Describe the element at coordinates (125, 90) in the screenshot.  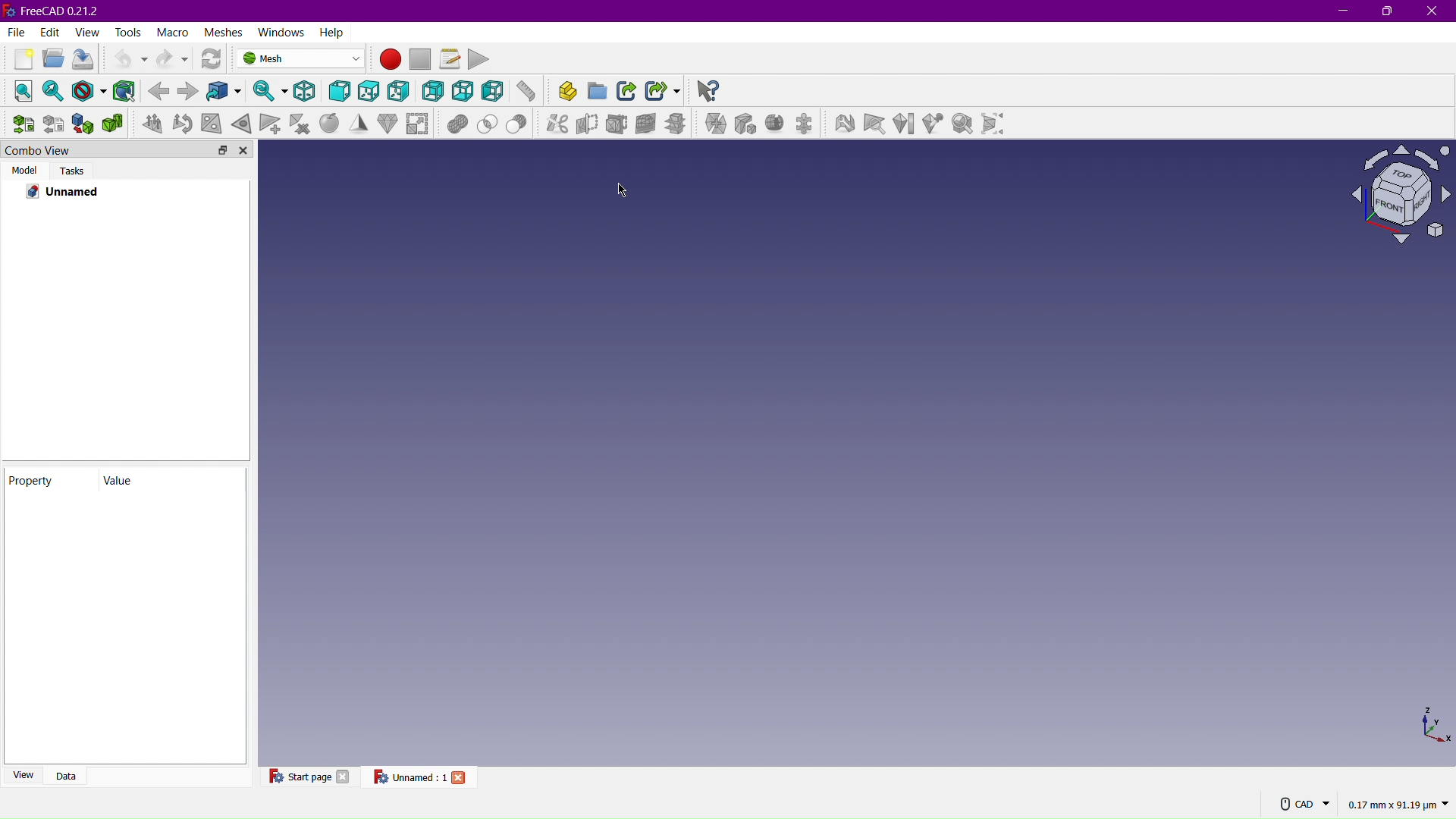
I see `Bounding Box` at that location.